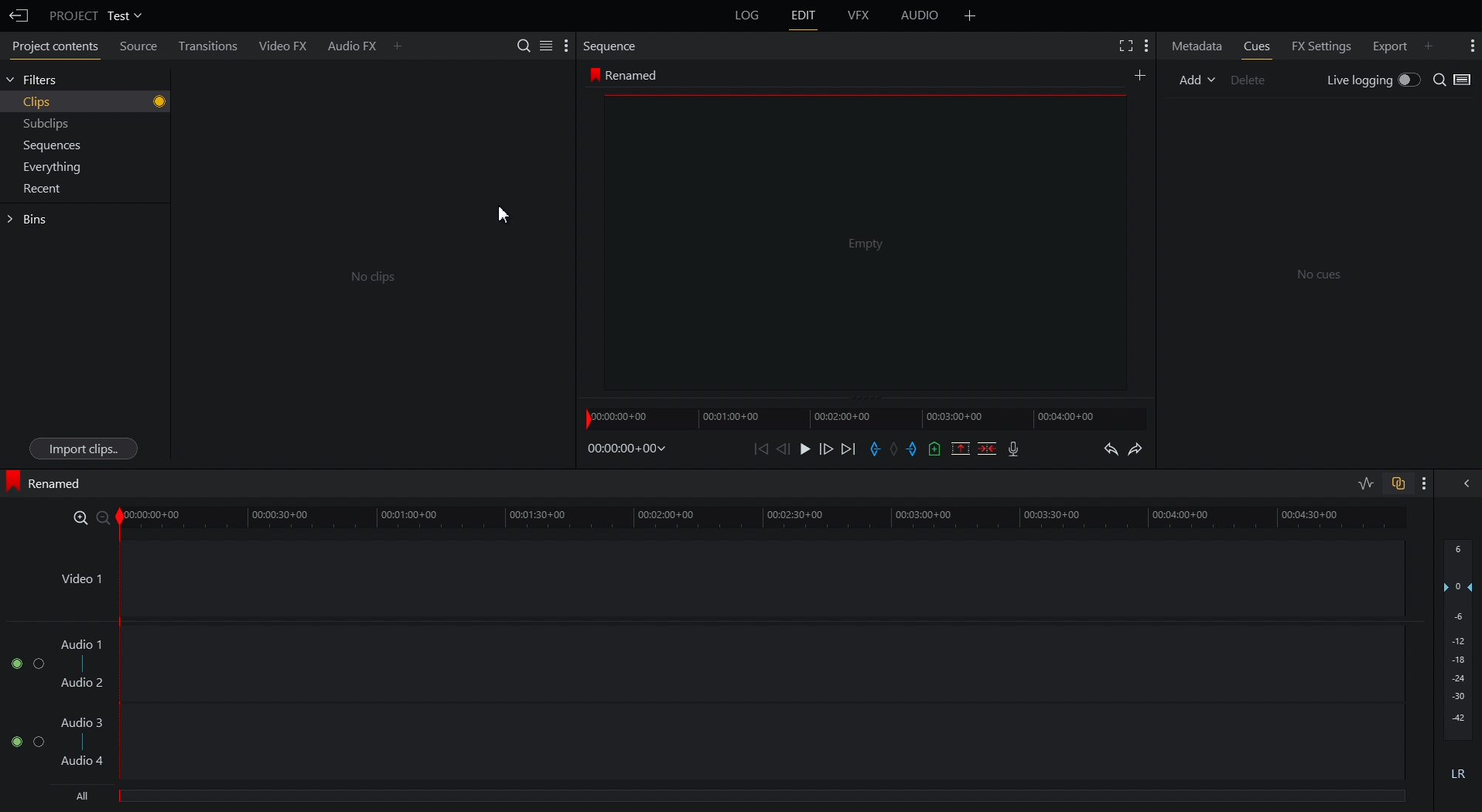 This screenshot has height=812, width=1482. I want to click on Exit Marker, so click(916, 449).